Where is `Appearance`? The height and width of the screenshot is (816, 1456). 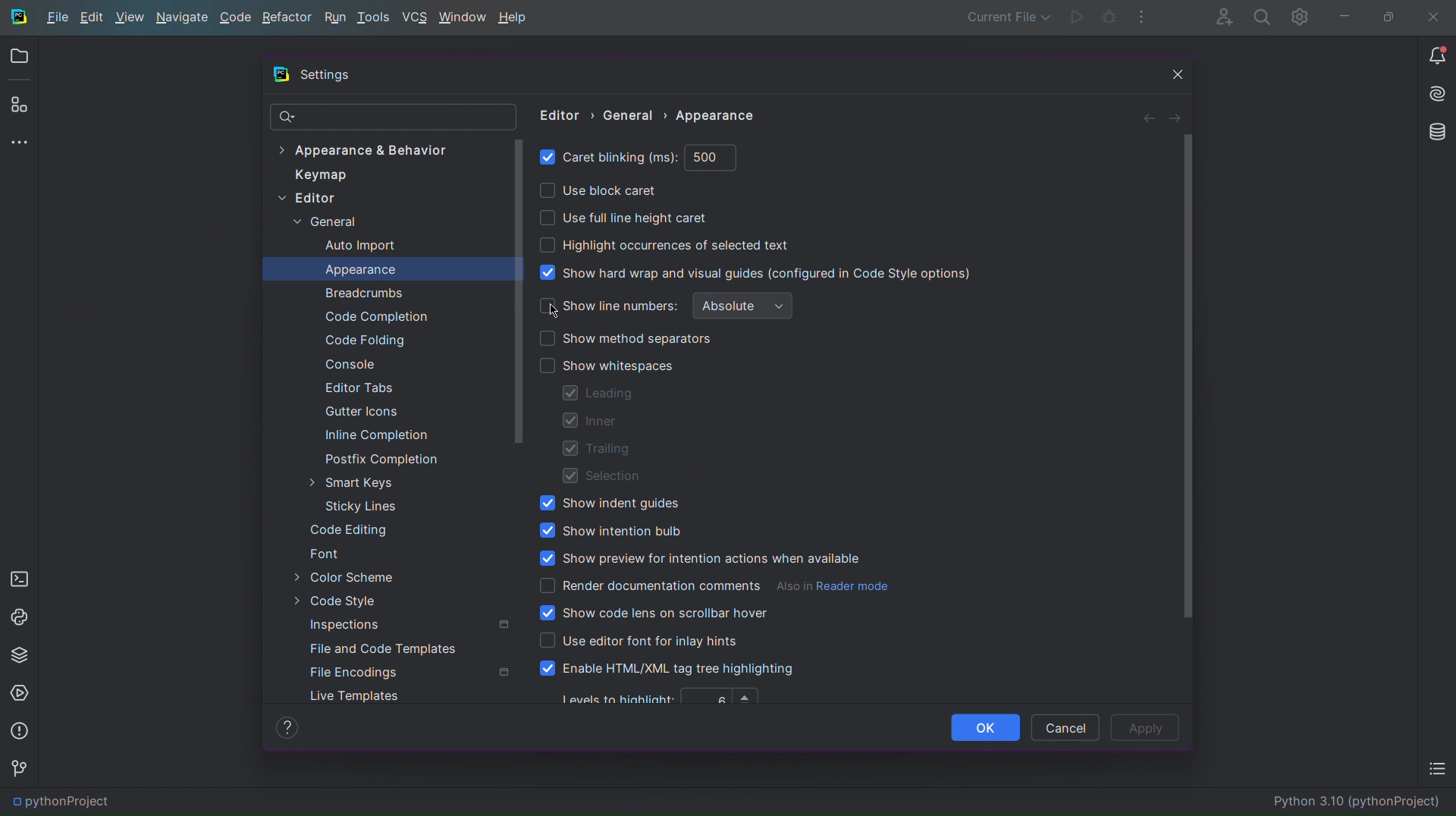
Appearance is located at coordinates (361, 270).